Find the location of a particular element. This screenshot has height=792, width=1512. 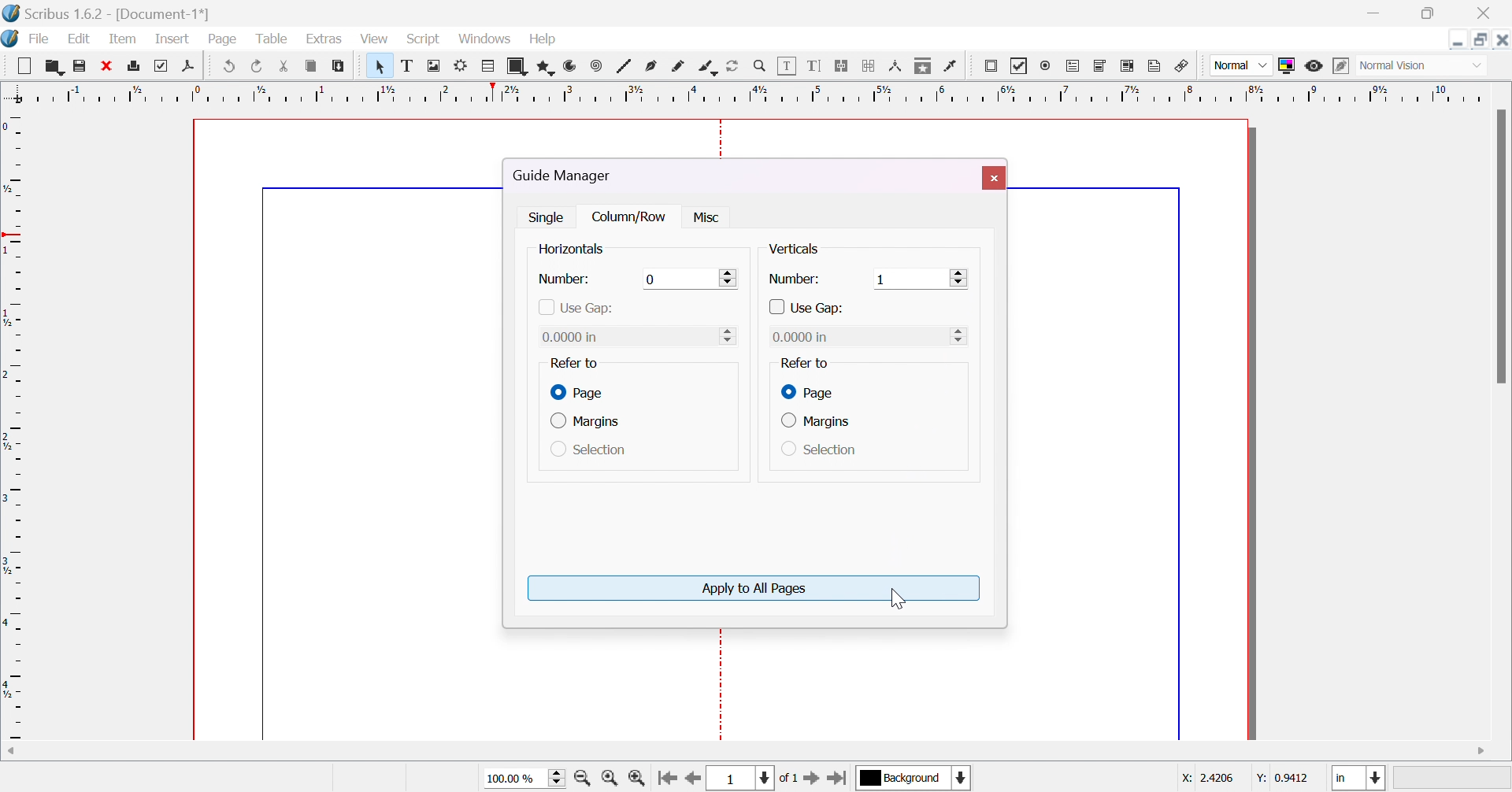

close is located at coordinates (1488, 11).